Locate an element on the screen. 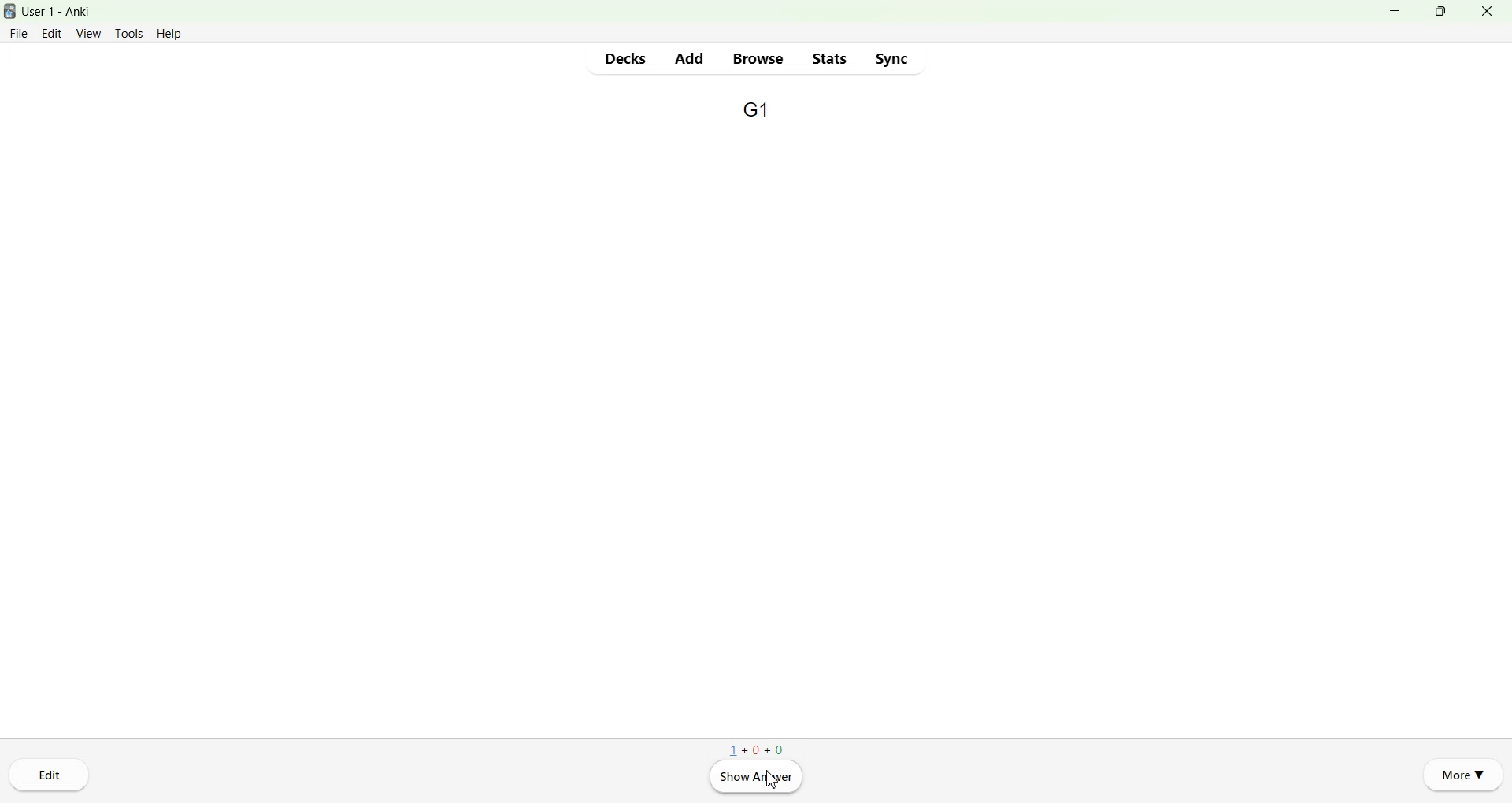 This screenshot has width=1512, height=803. Decks is located at coordinates (626, 58).